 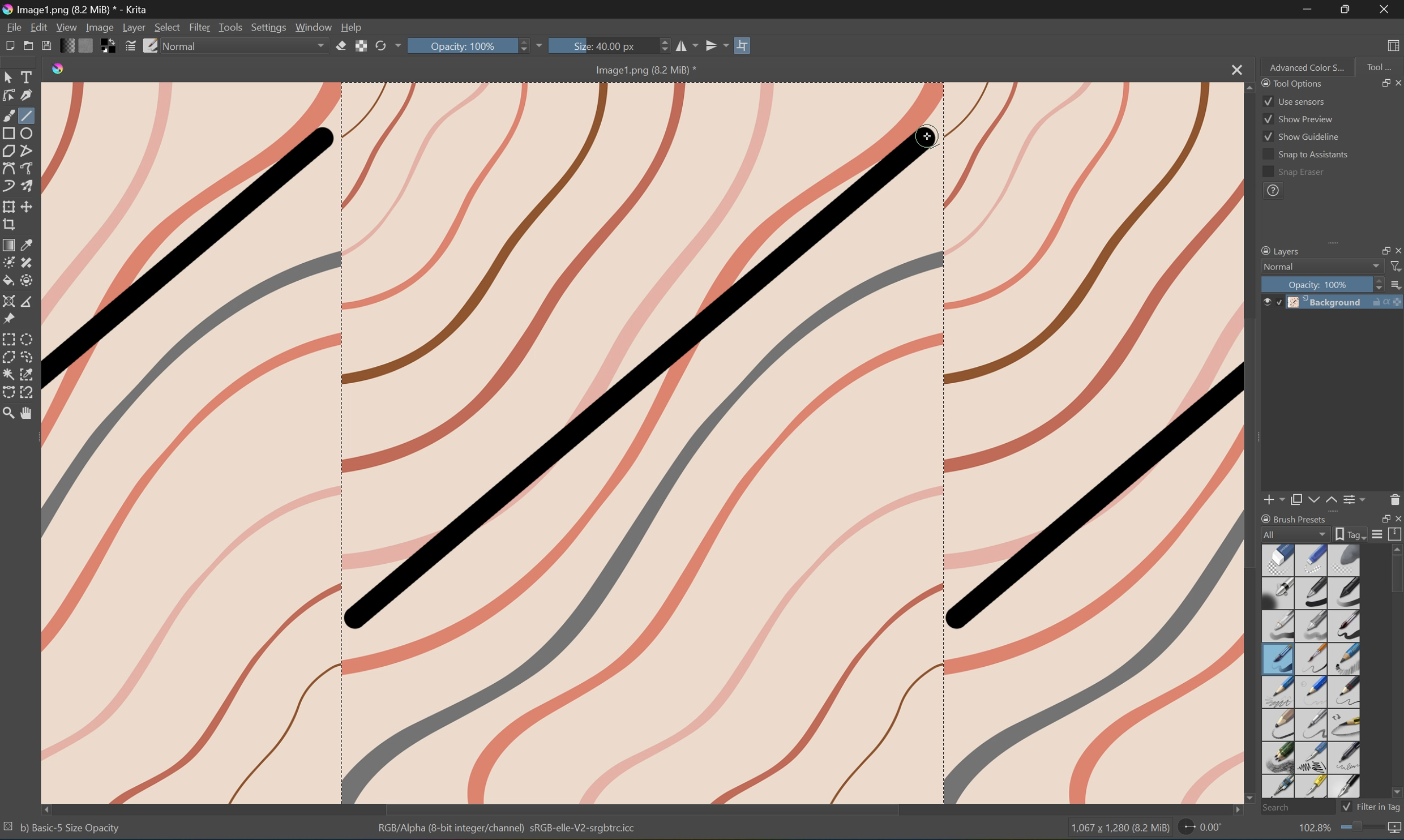 What do you see at coordinates (28, 47) in the screenshot?
I see `Open existing document` at bounding box center [28, 47].